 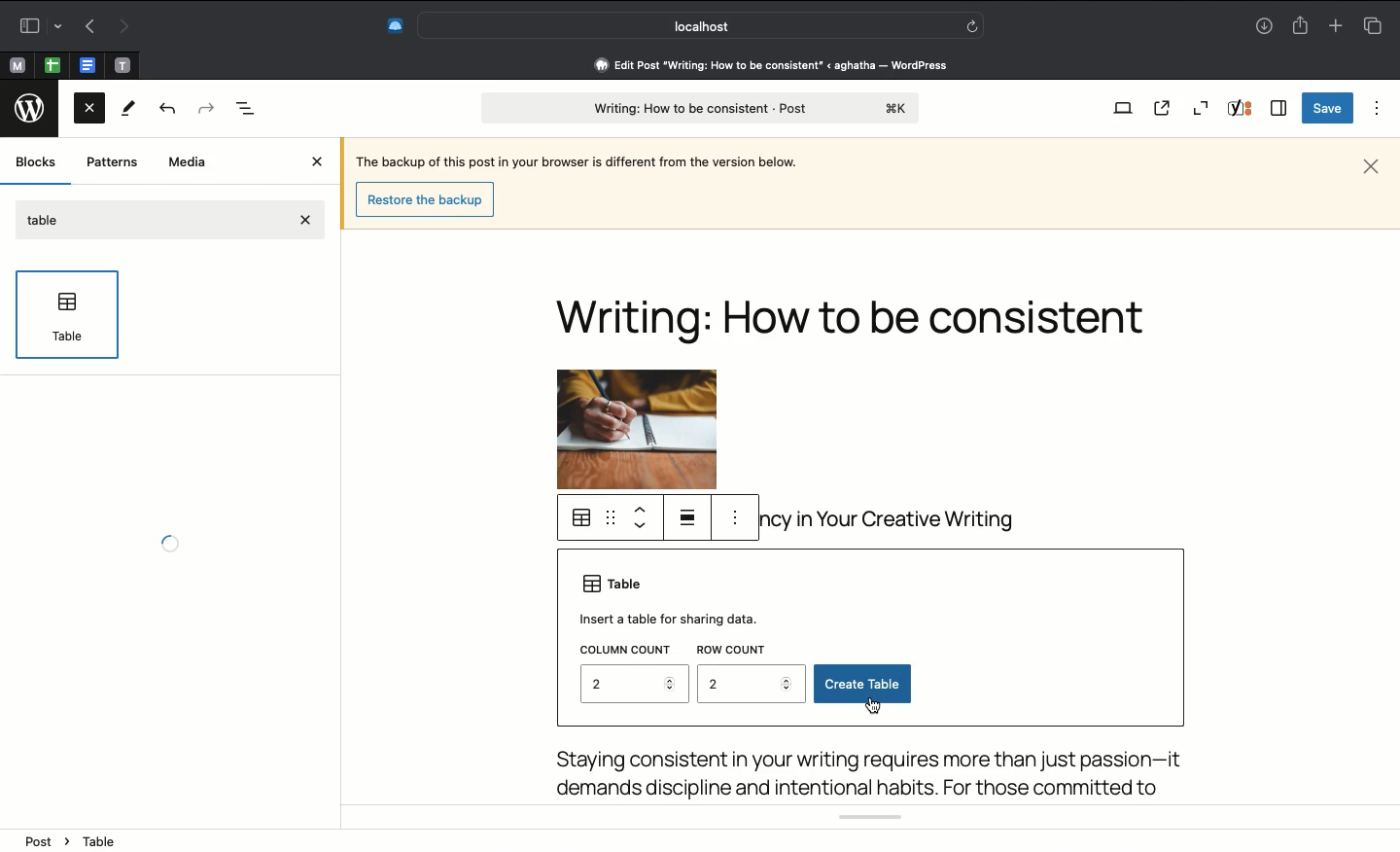 What do you see at coordinates (1338, 25) in the screenshot?
I see `Add new tab` at bounding box center [1338, 25].